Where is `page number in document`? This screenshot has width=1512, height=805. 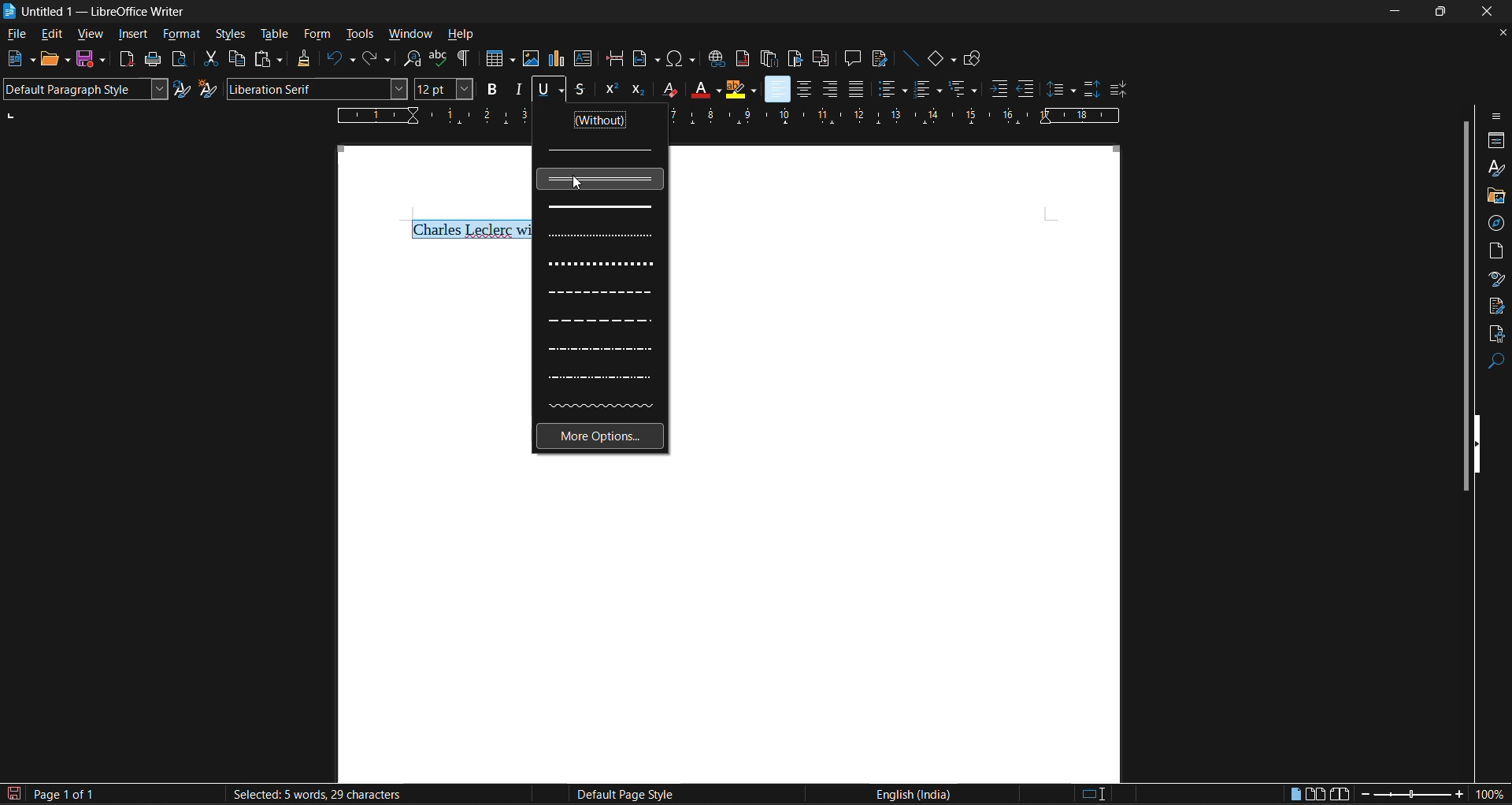
page number in document is located at coordinates (66, 794).